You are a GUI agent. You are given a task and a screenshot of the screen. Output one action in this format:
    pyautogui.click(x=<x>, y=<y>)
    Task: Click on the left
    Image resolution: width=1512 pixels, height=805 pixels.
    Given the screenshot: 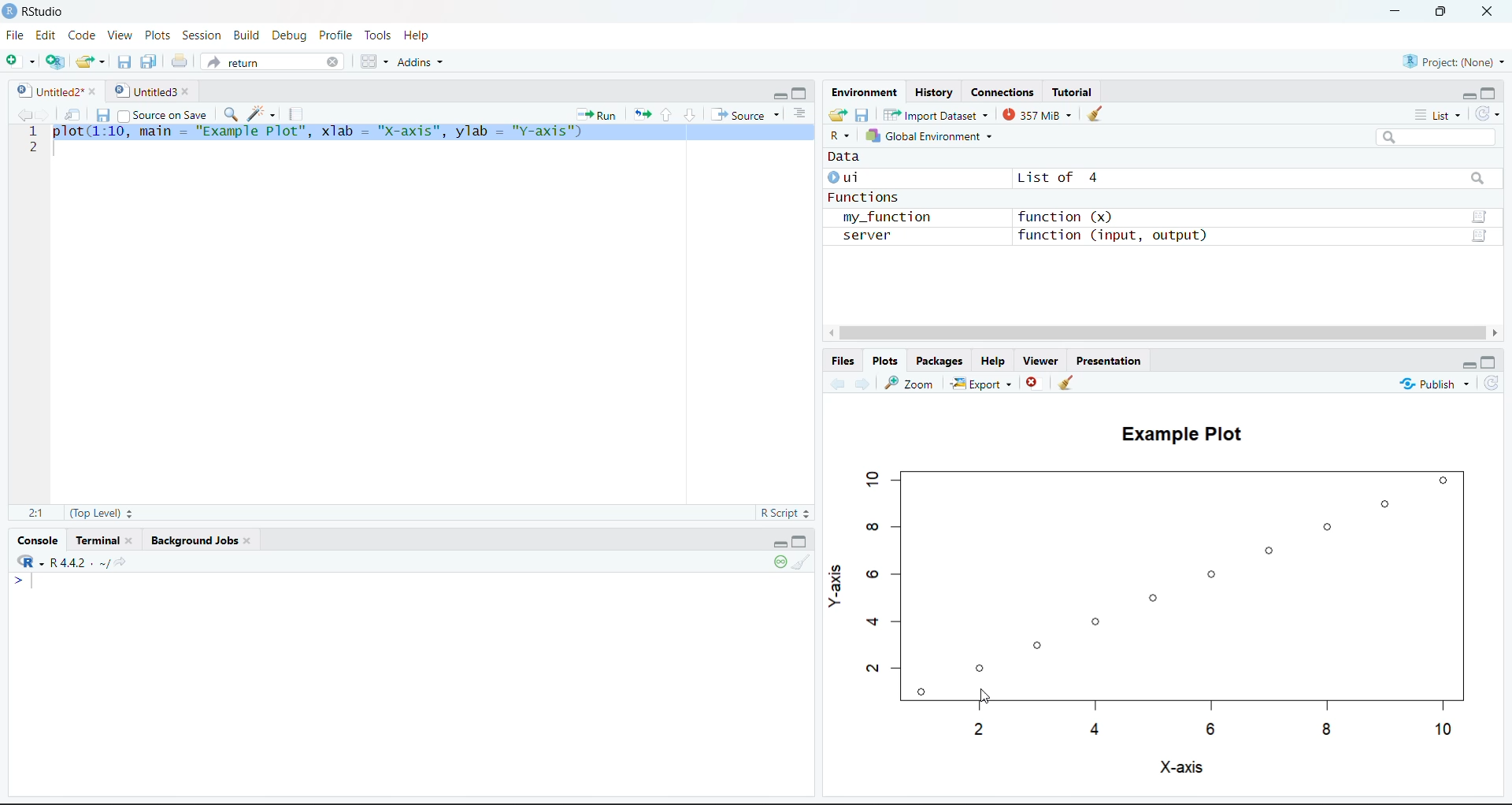 What is the action you would take?
    pyautogui.click(x=829, y=333)
    